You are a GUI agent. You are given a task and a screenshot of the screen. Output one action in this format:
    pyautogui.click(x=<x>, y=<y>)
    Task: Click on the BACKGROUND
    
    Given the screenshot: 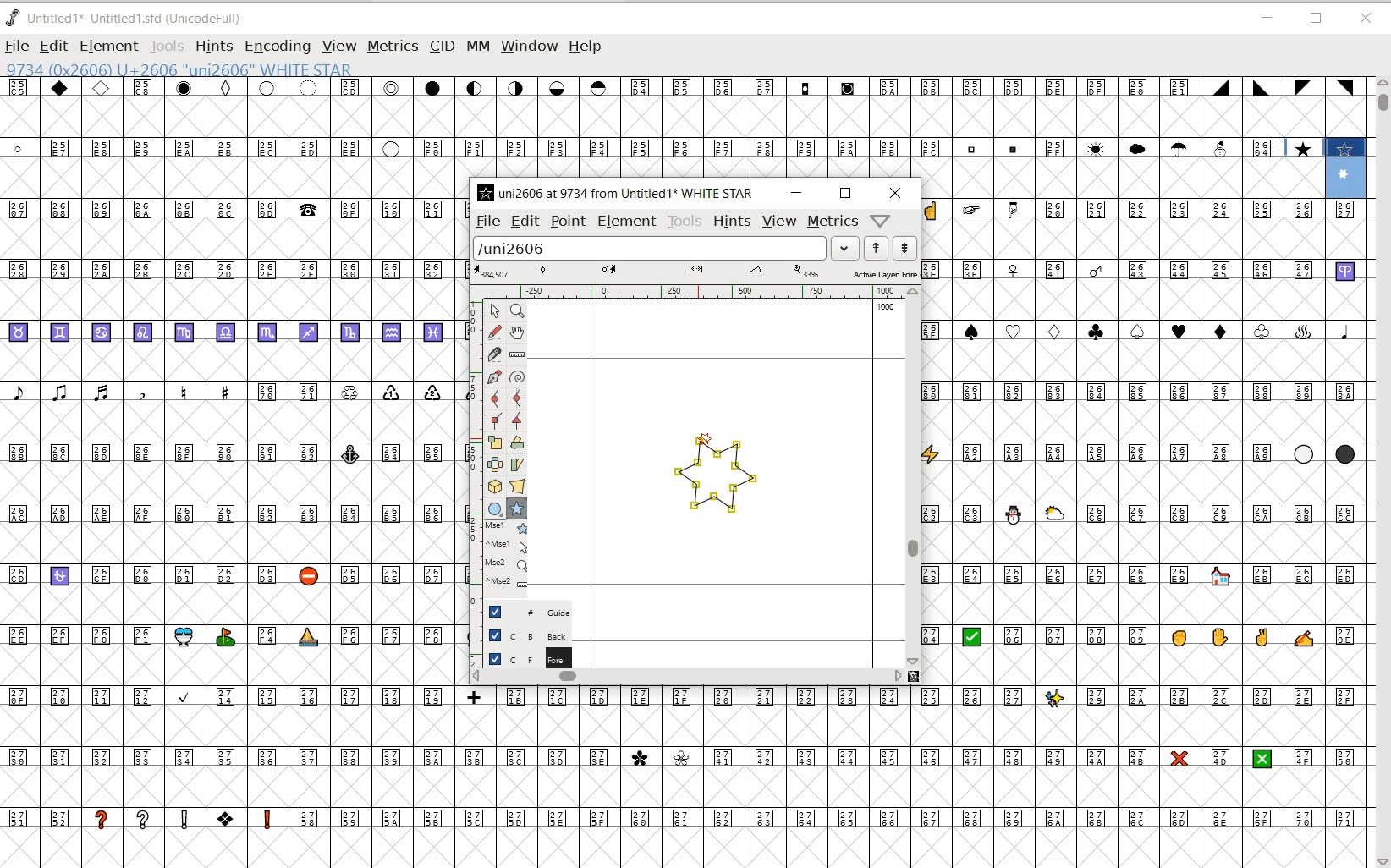 What is the action you would take?
    pyautogui.click(x=521, y=635)
    